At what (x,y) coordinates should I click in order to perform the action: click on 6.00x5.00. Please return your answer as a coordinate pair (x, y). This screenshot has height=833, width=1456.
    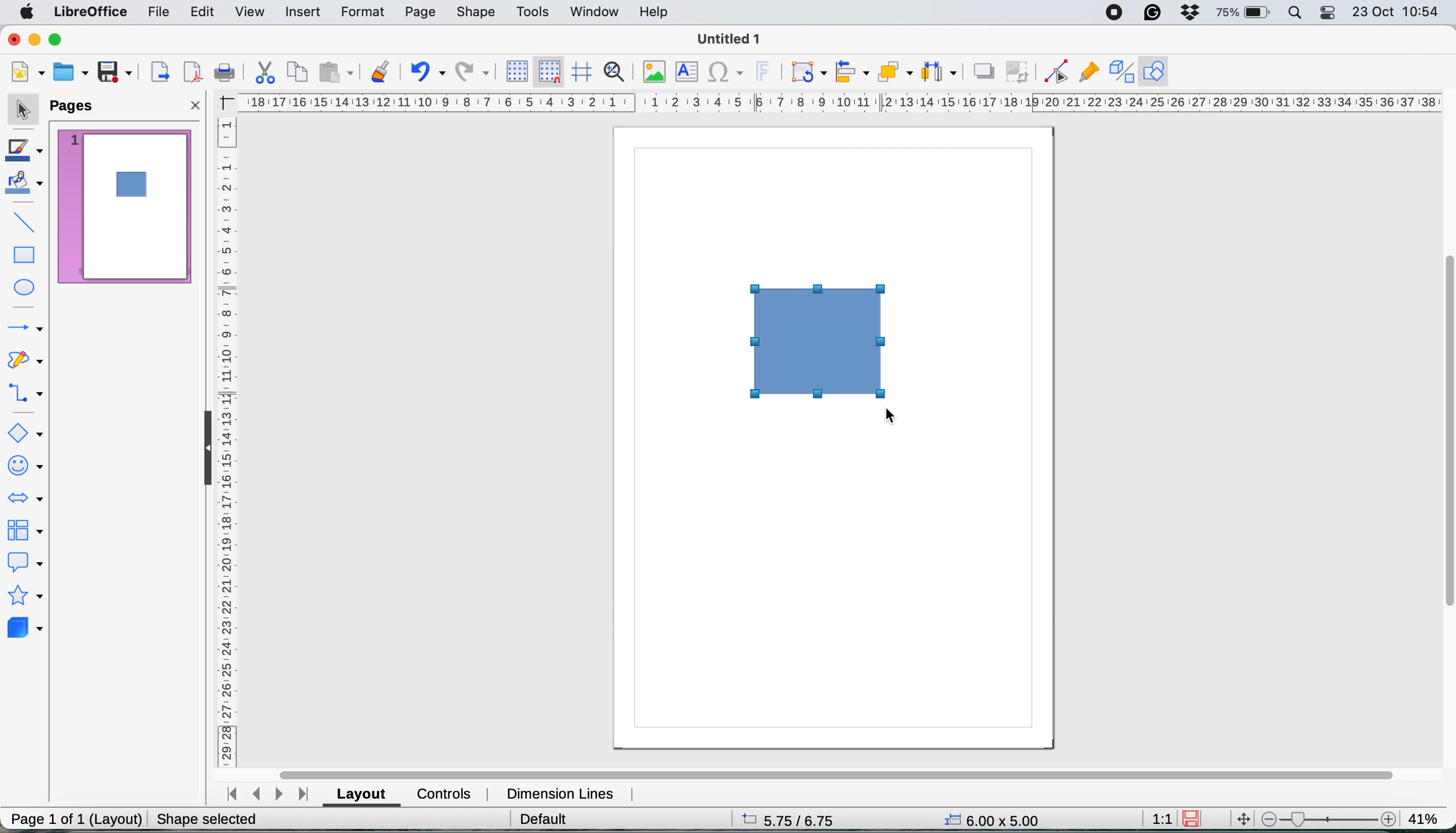
    Looking at the image, I should click on (982, 818).